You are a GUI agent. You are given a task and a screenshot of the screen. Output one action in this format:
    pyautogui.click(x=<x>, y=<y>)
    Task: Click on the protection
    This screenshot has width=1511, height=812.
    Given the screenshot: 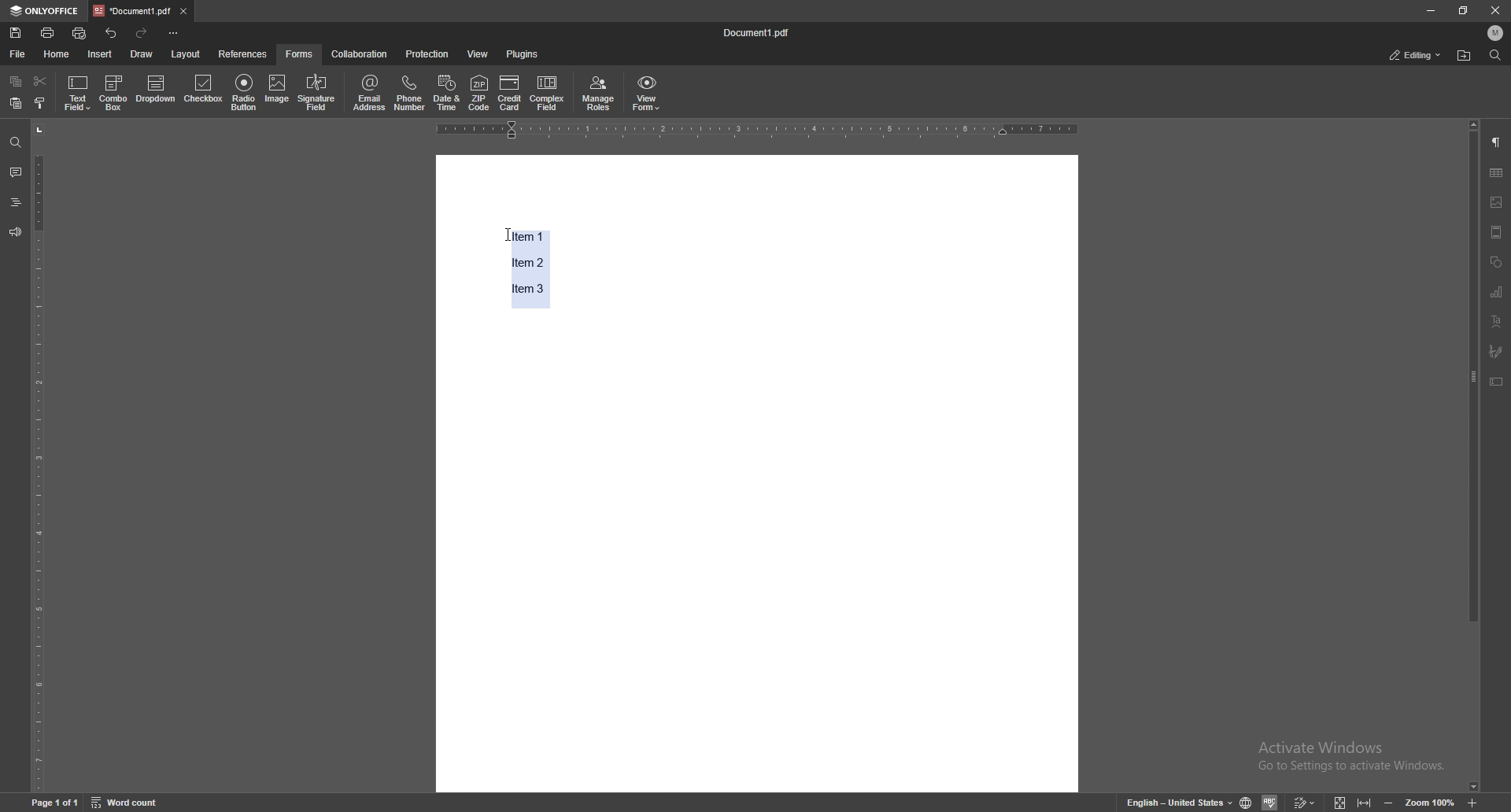 What is the action you would take?
    pyautogui.click(x=429, y=54)
    